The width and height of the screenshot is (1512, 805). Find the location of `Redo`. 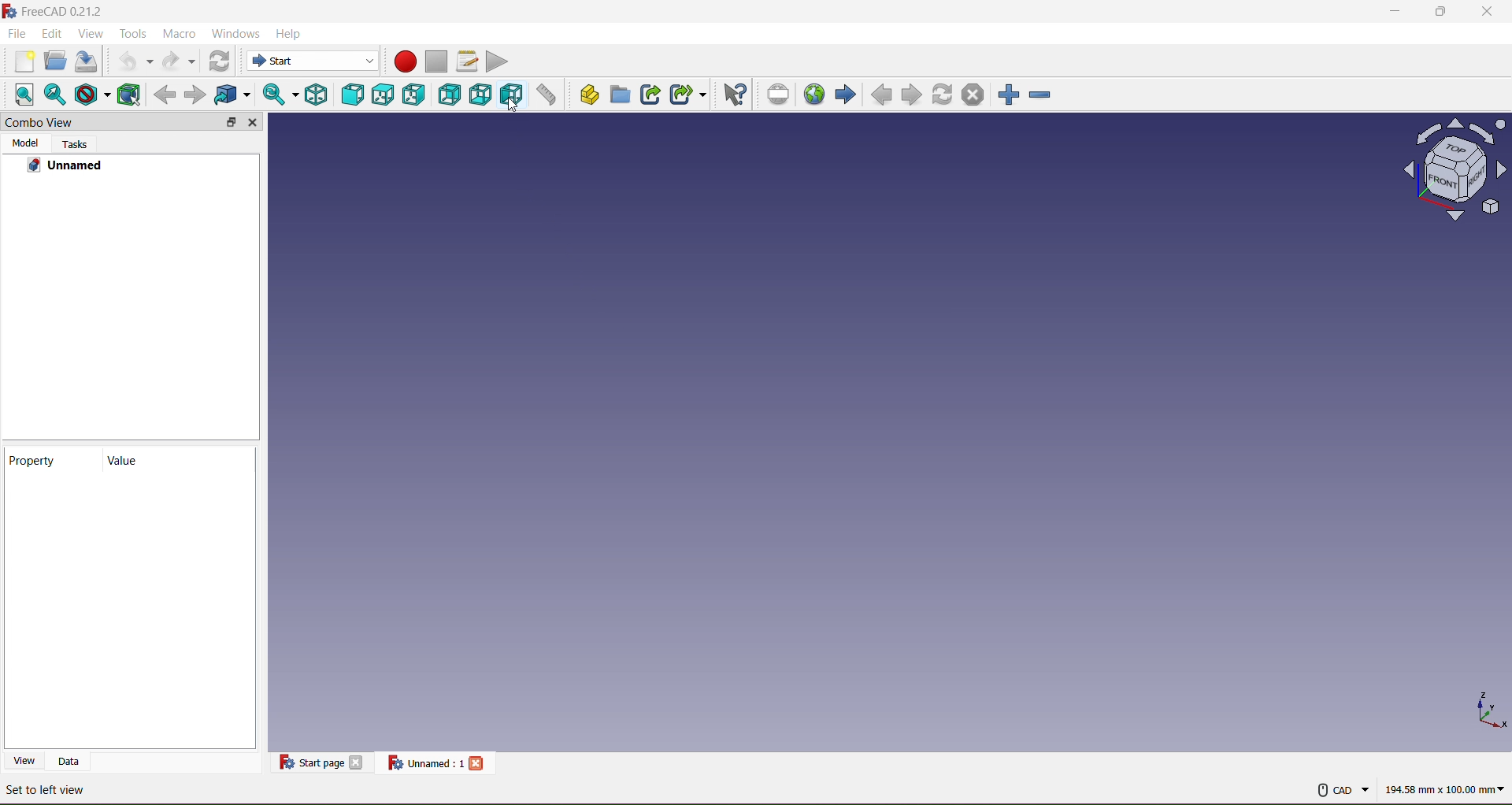

Redo is located at coordinates (178, 61).